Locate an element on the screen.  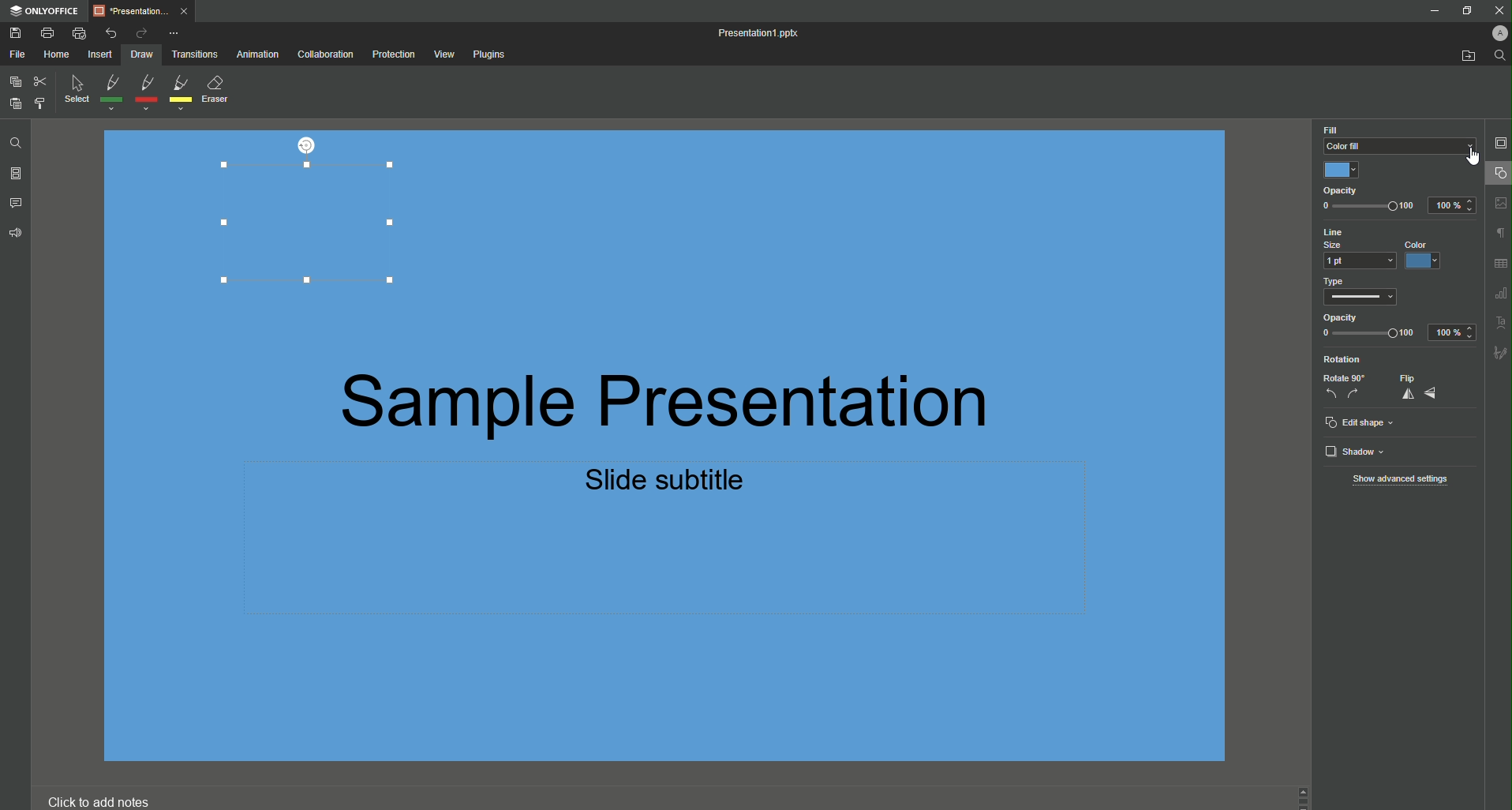
View is located at coordinates (443, 54).